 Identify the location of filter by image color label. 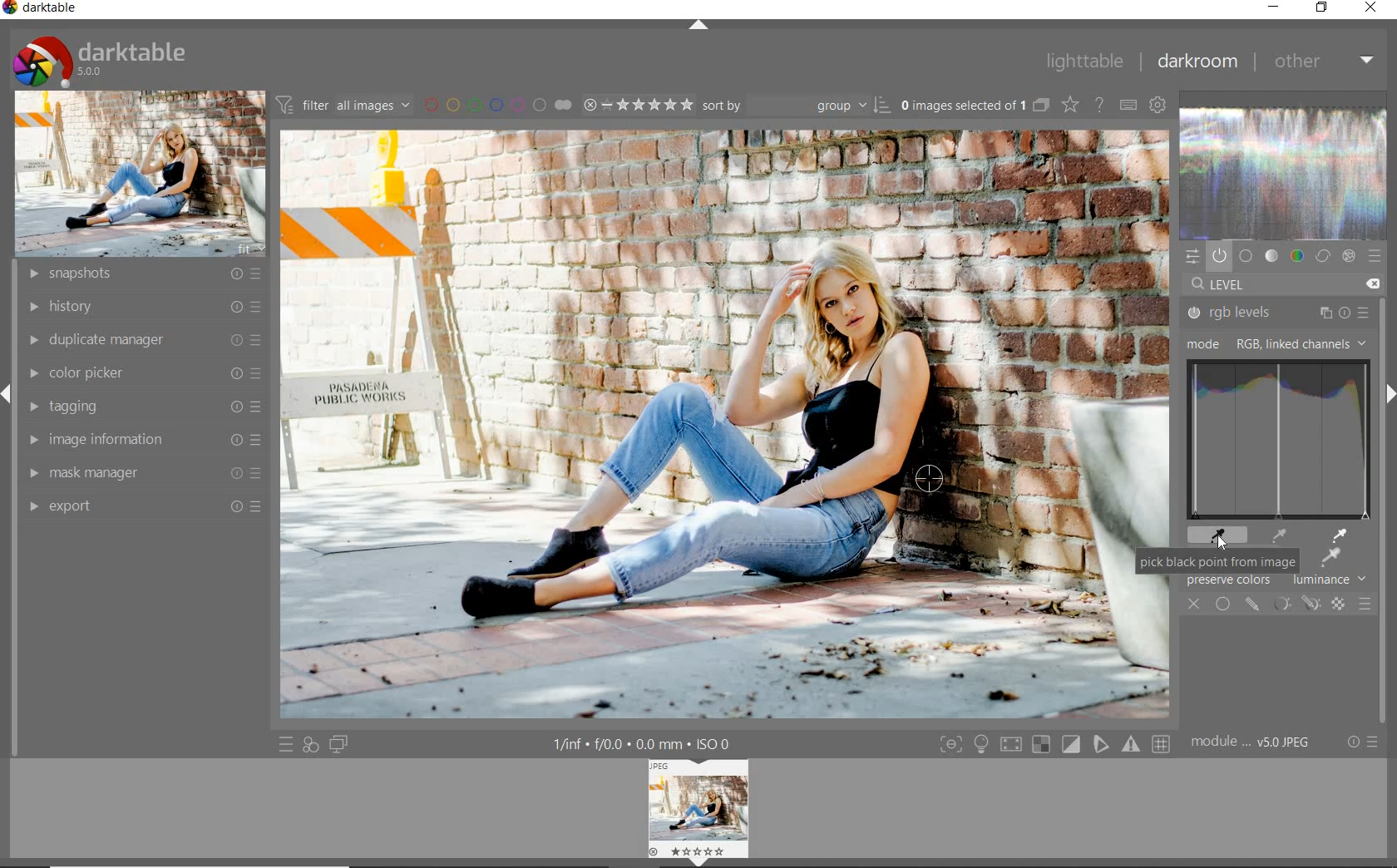
(497, 103).